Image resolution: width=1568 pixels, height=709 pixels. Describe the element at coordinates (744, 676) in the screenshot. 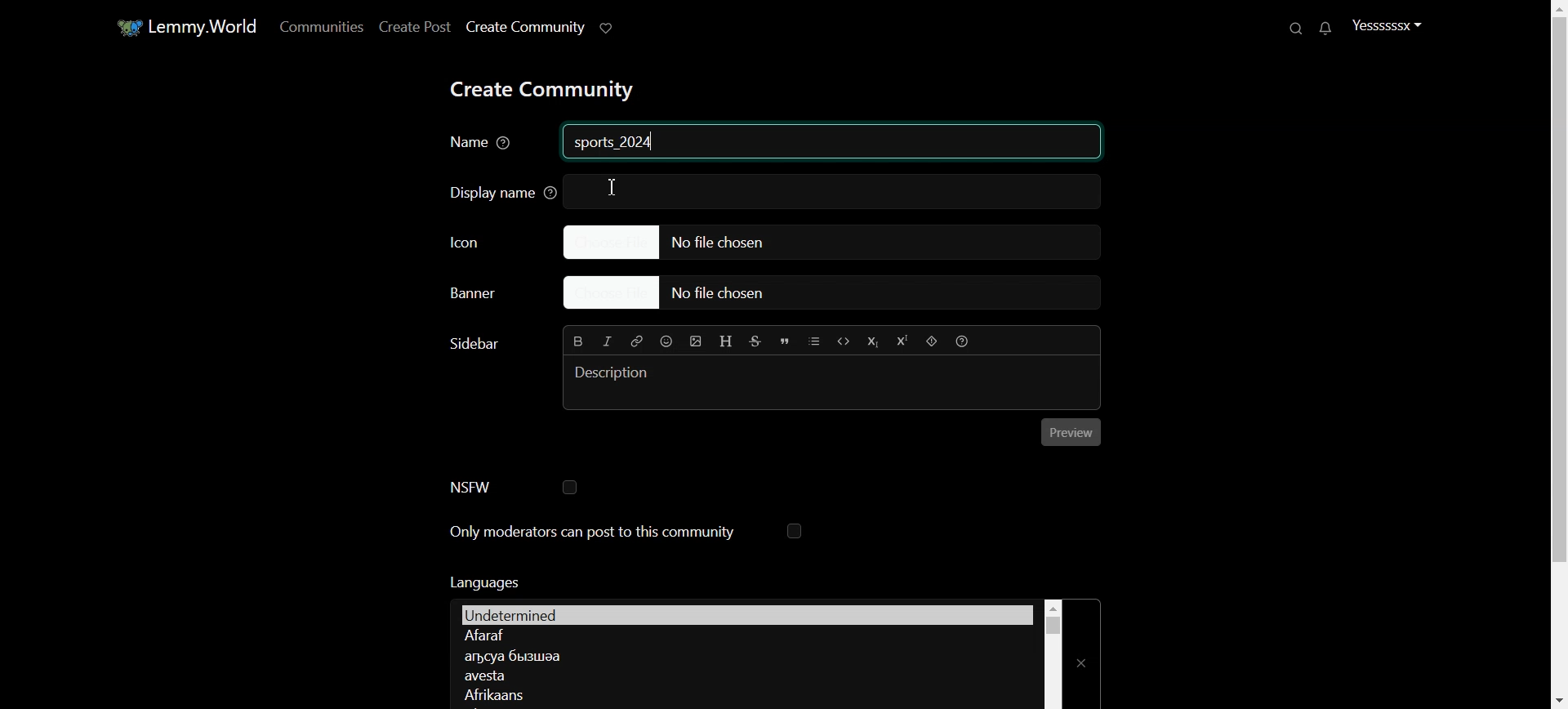

I see `Language` at that location.